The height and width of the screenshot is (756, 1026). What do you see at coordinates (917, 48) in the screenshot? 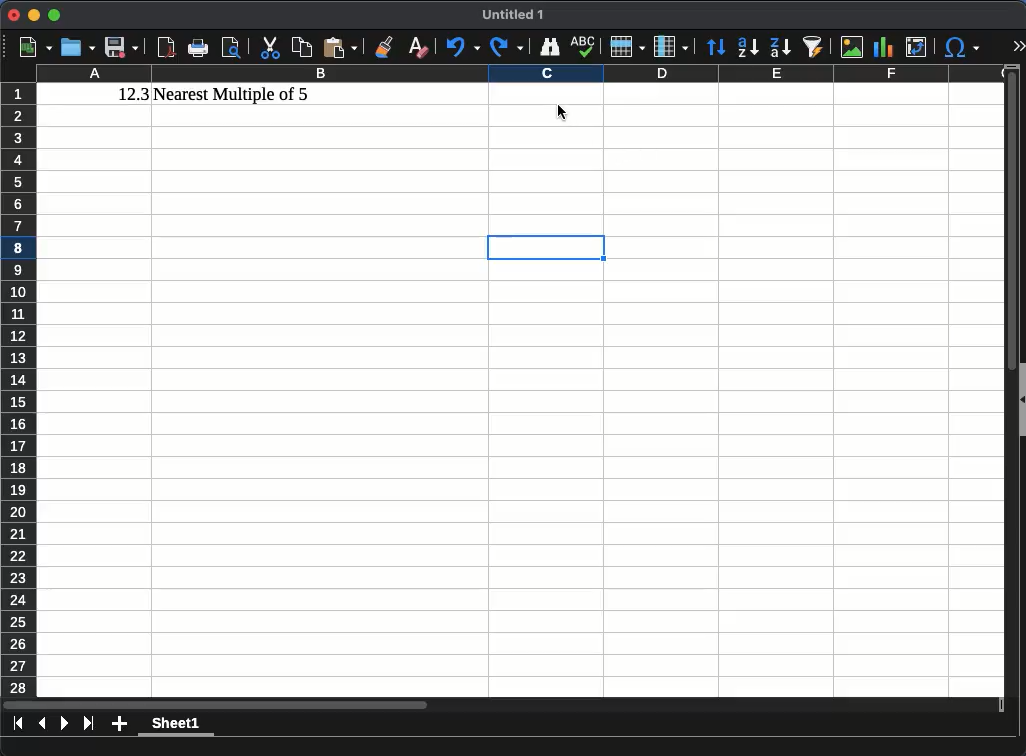
I see `pivot table` at bounding box center [917, 48].